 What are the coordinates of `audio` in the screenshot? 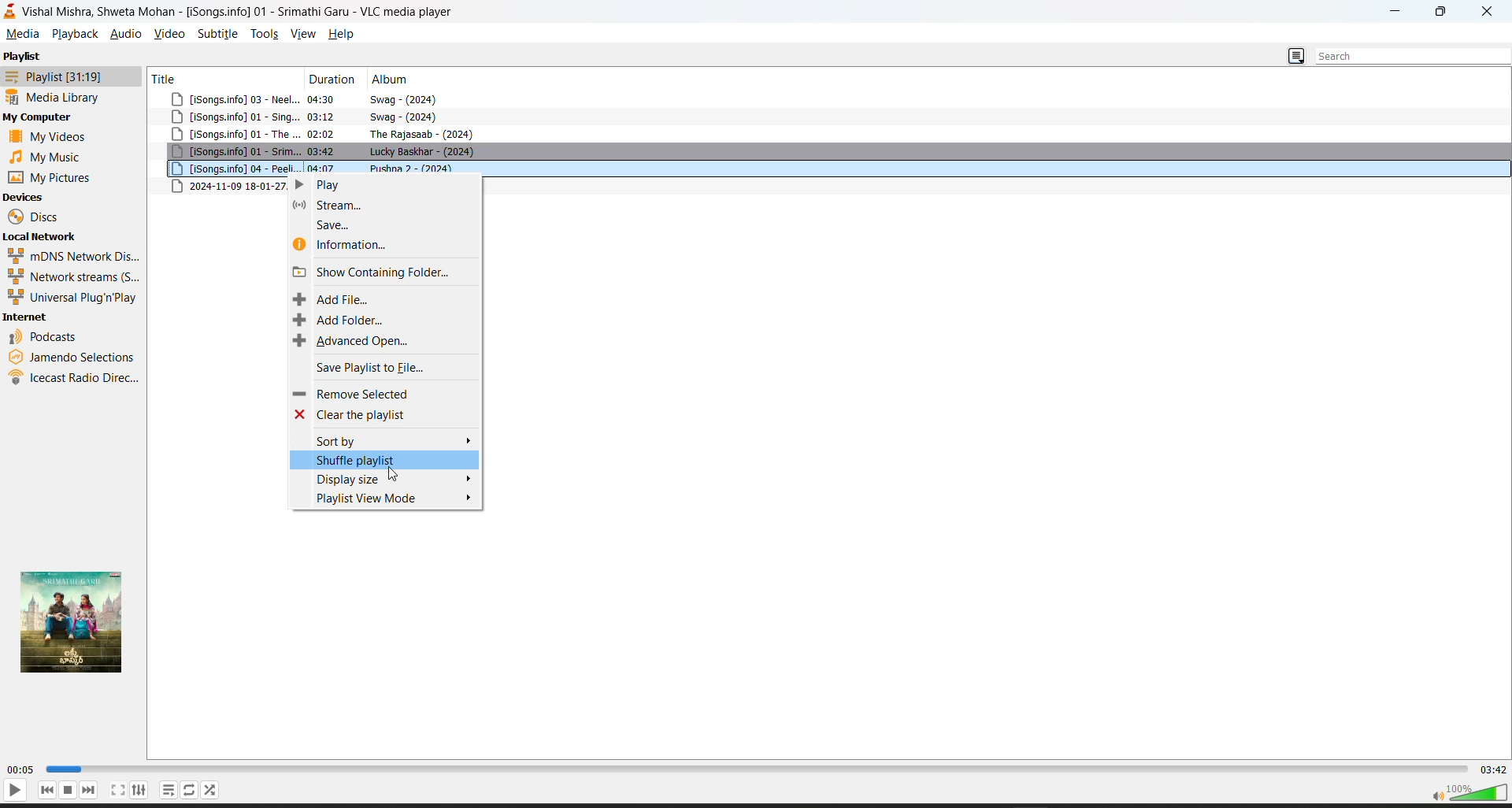 It's located at (127, 32).